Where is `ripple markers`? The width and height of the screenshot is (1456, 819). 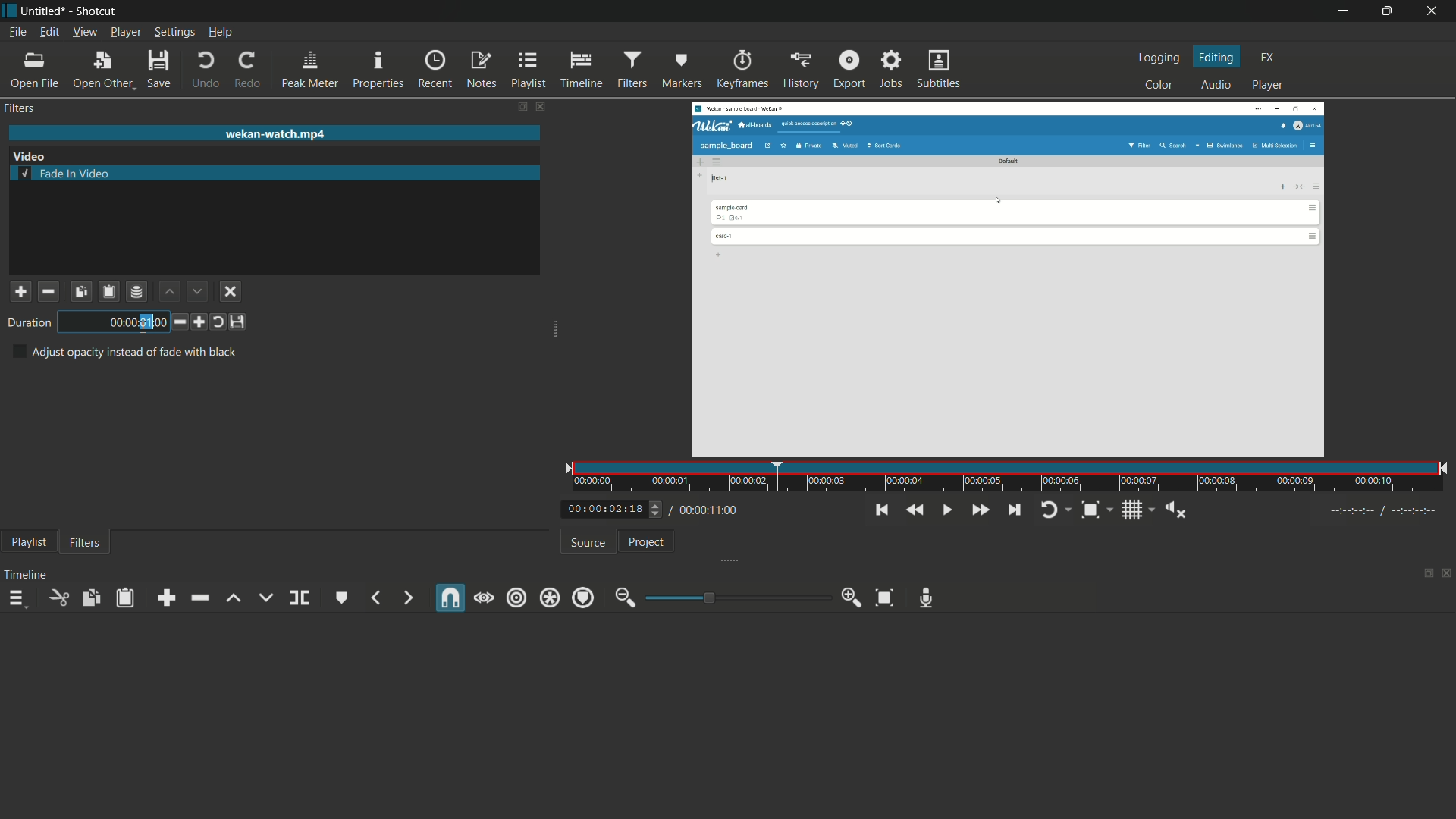 ripple markers is located at coordinates (584, 597).